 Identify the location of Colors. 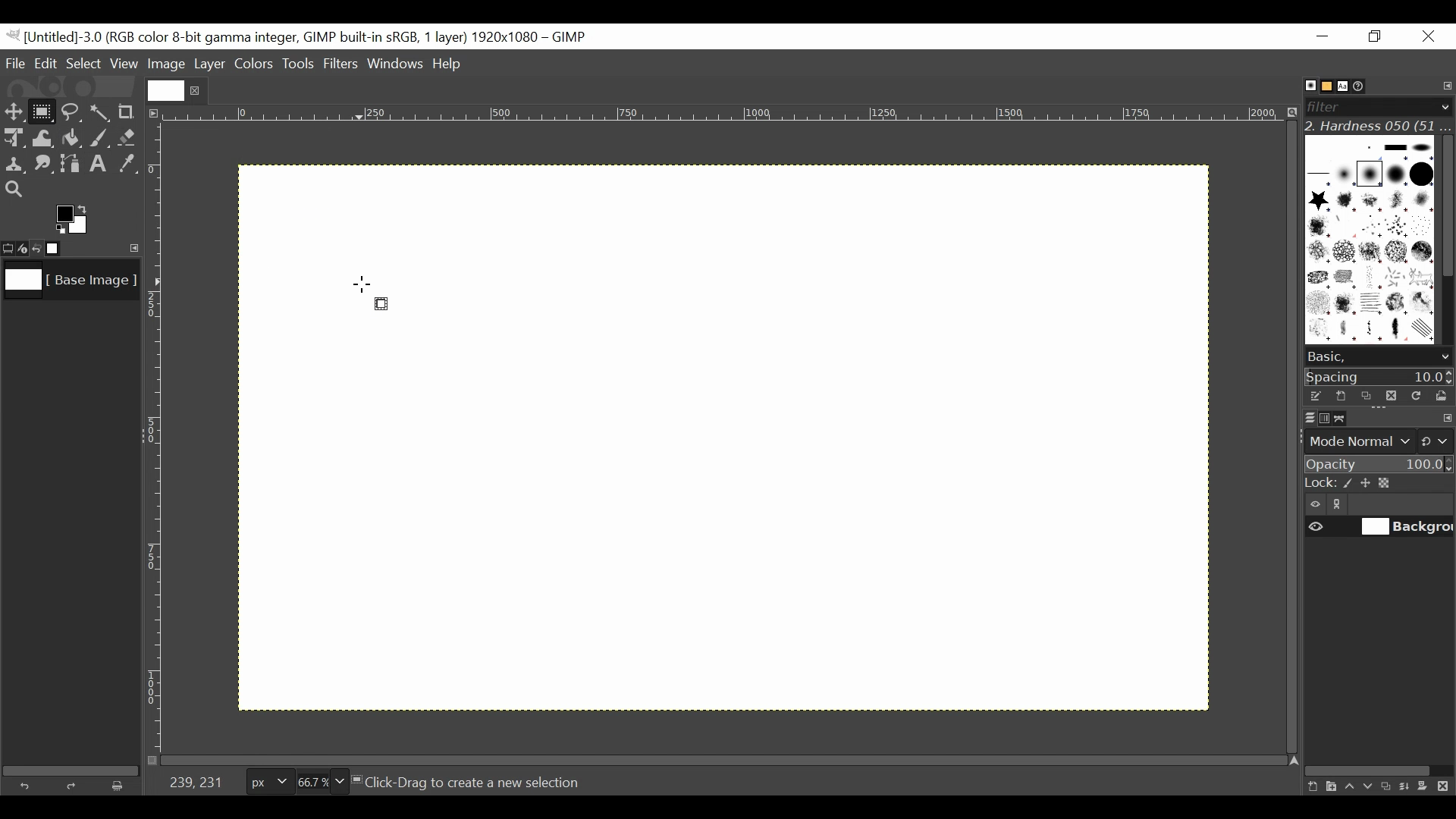
(254, 64).